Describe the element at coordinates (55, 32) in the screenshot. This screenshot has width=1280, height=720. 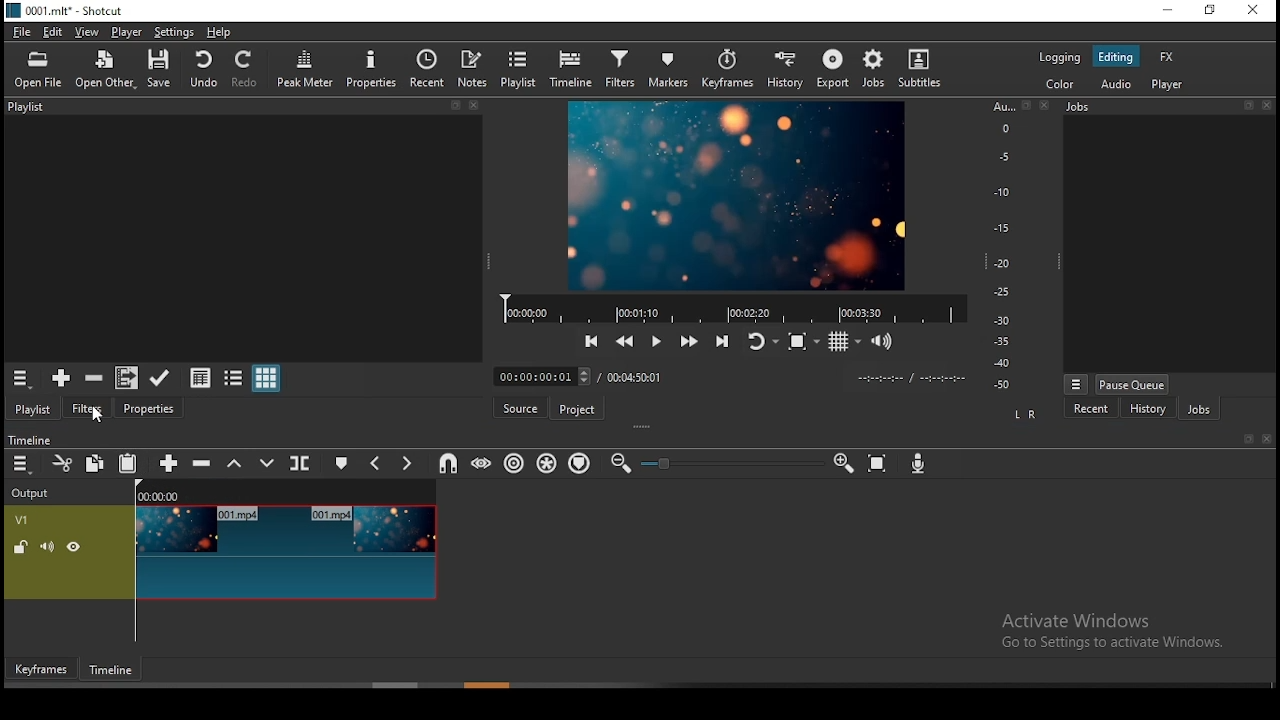
I see `edit` at that location.